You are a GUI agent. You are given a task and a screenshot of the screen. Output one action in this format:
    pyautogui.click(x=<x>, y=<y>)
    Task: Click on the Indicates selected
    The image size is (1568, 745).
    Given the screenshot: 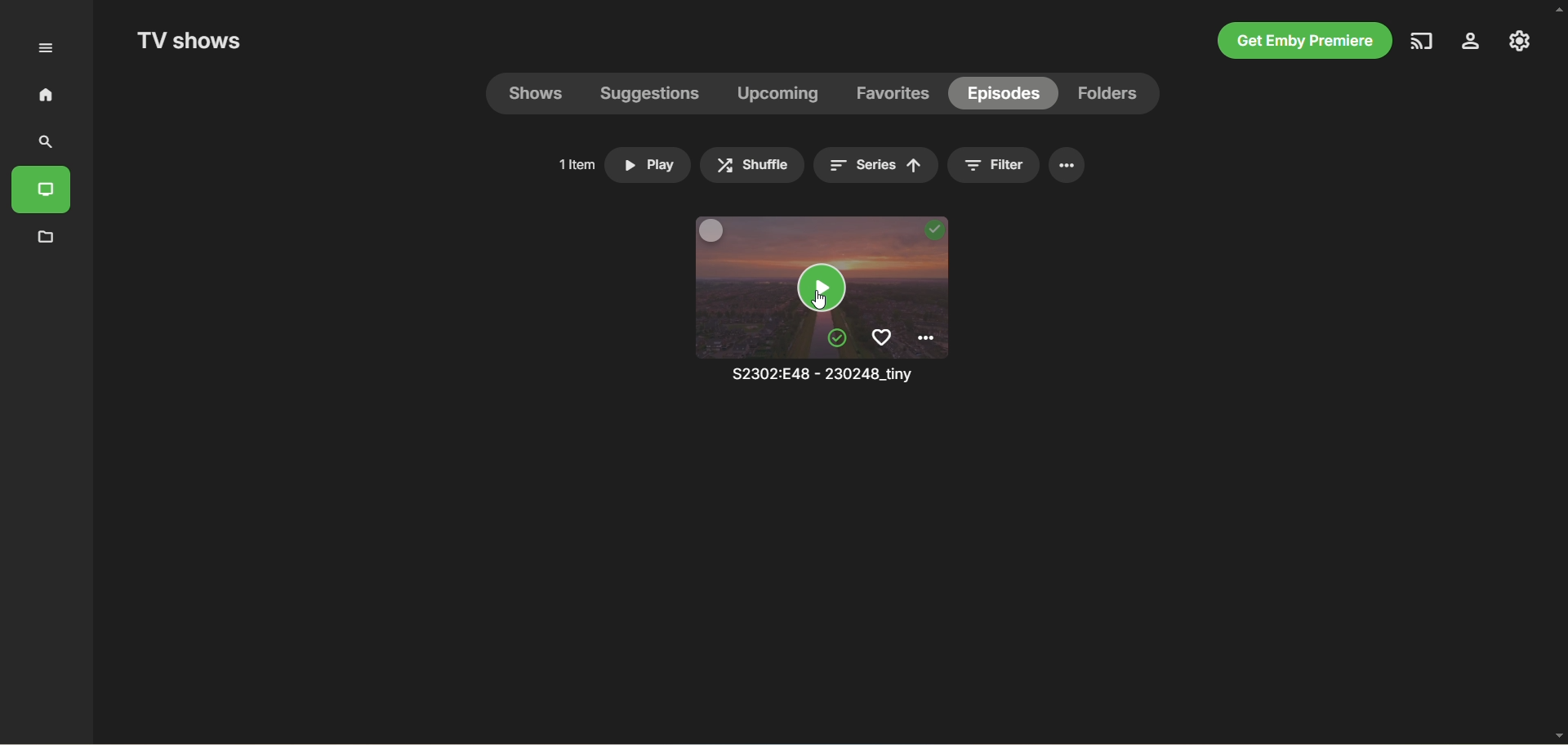 What is the action you would take?
    pyautogui.click(x=837, y=338)
    